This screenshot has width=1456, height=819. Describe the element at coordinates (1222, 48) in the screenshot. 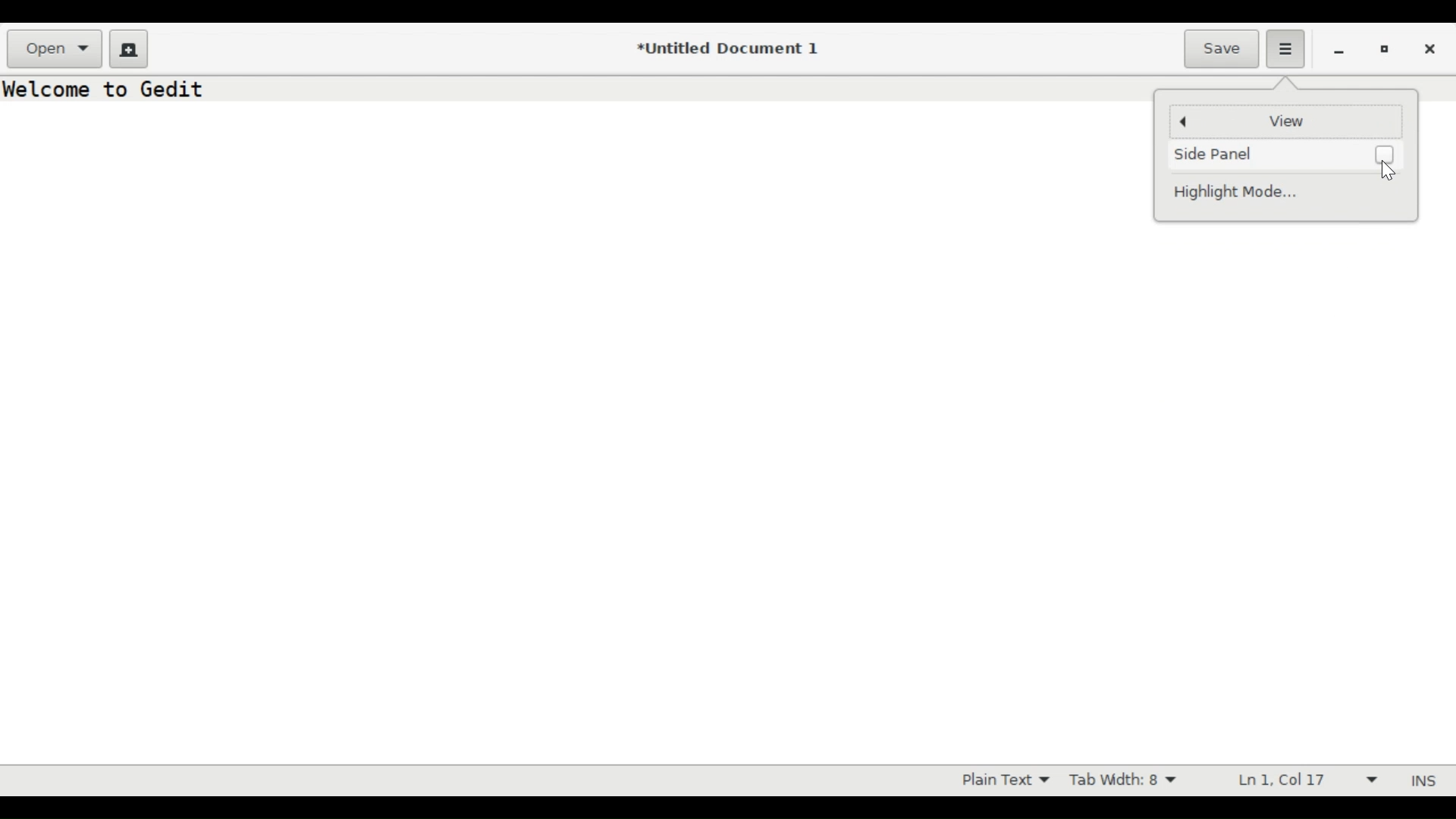

I see `Save` at that location.